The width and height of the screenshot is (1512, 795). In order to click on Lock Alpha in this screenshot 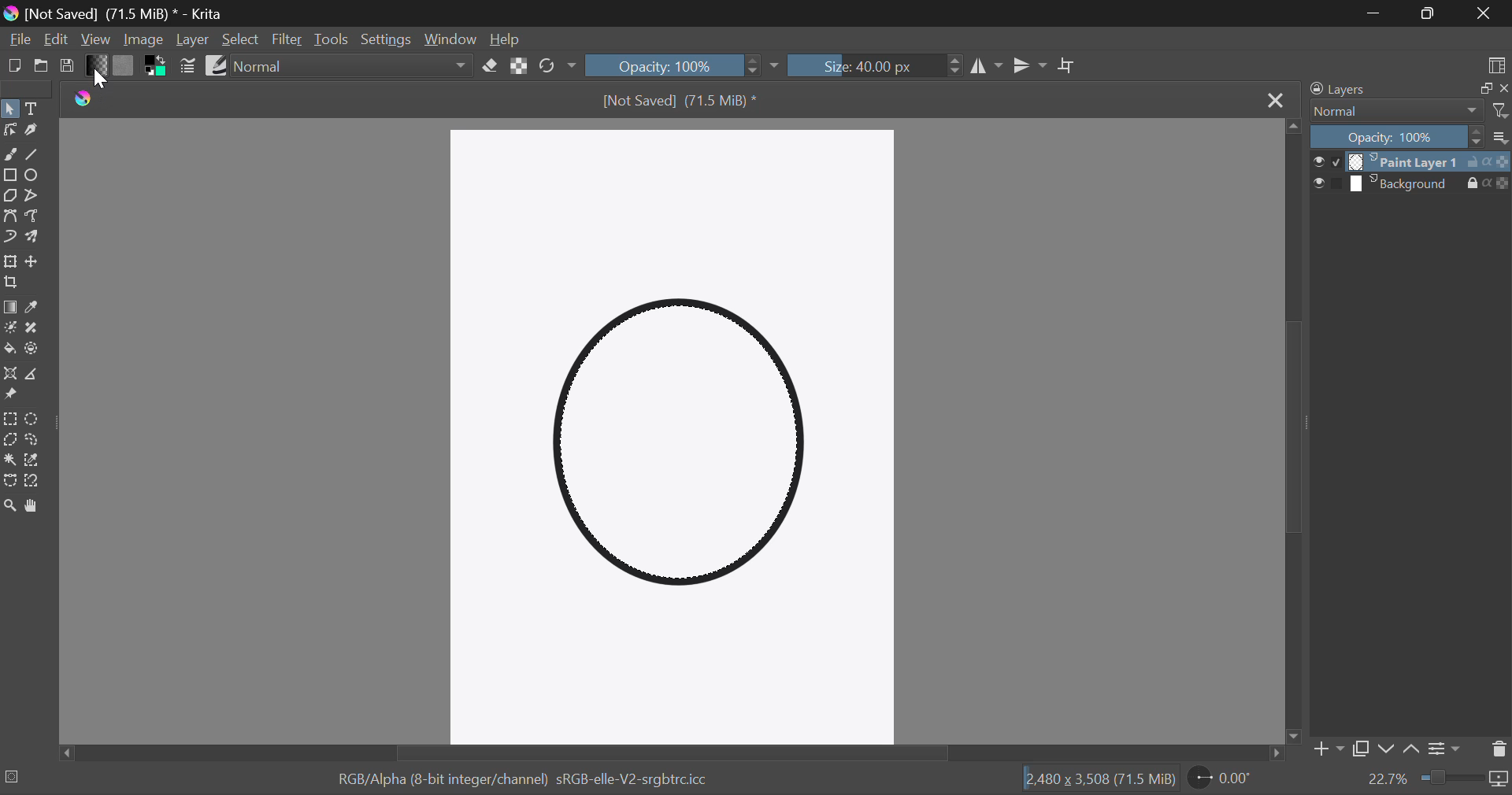, I will do `click(521, 66)`.